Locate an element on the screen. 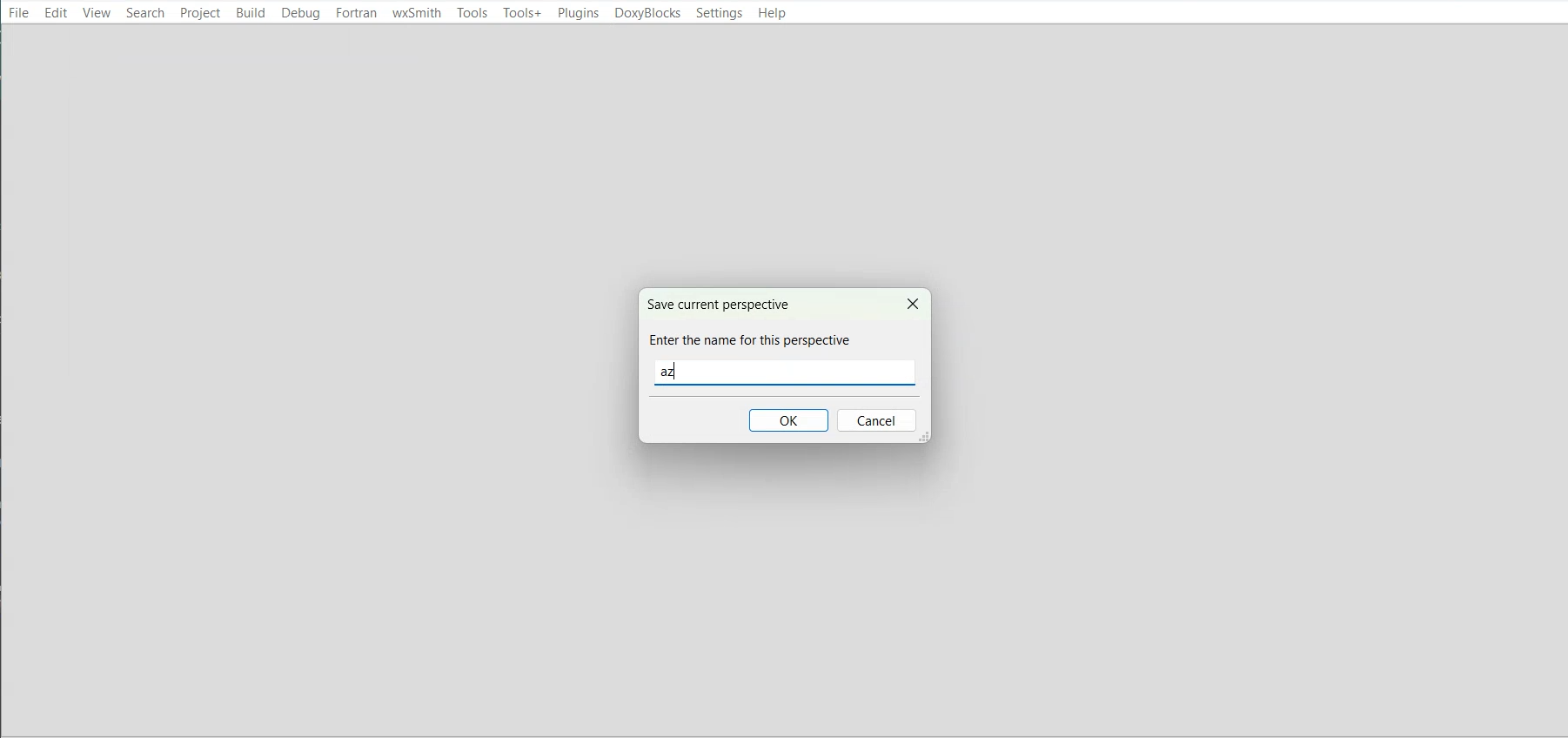  Fortran is located at coordinates (357, 13).